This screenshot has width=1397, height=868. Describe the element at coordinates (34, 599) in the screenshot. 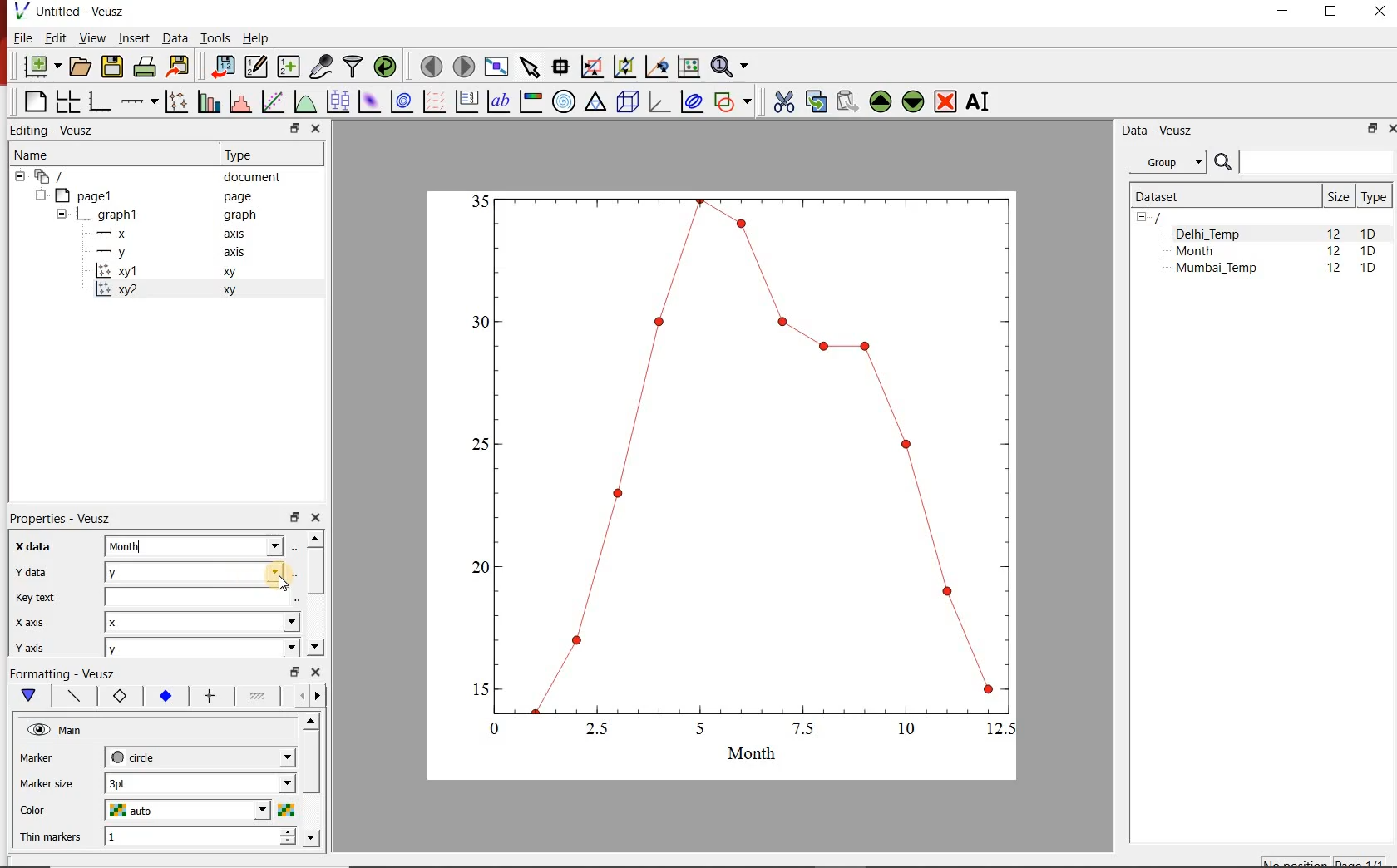

I see `Key text` at that location.